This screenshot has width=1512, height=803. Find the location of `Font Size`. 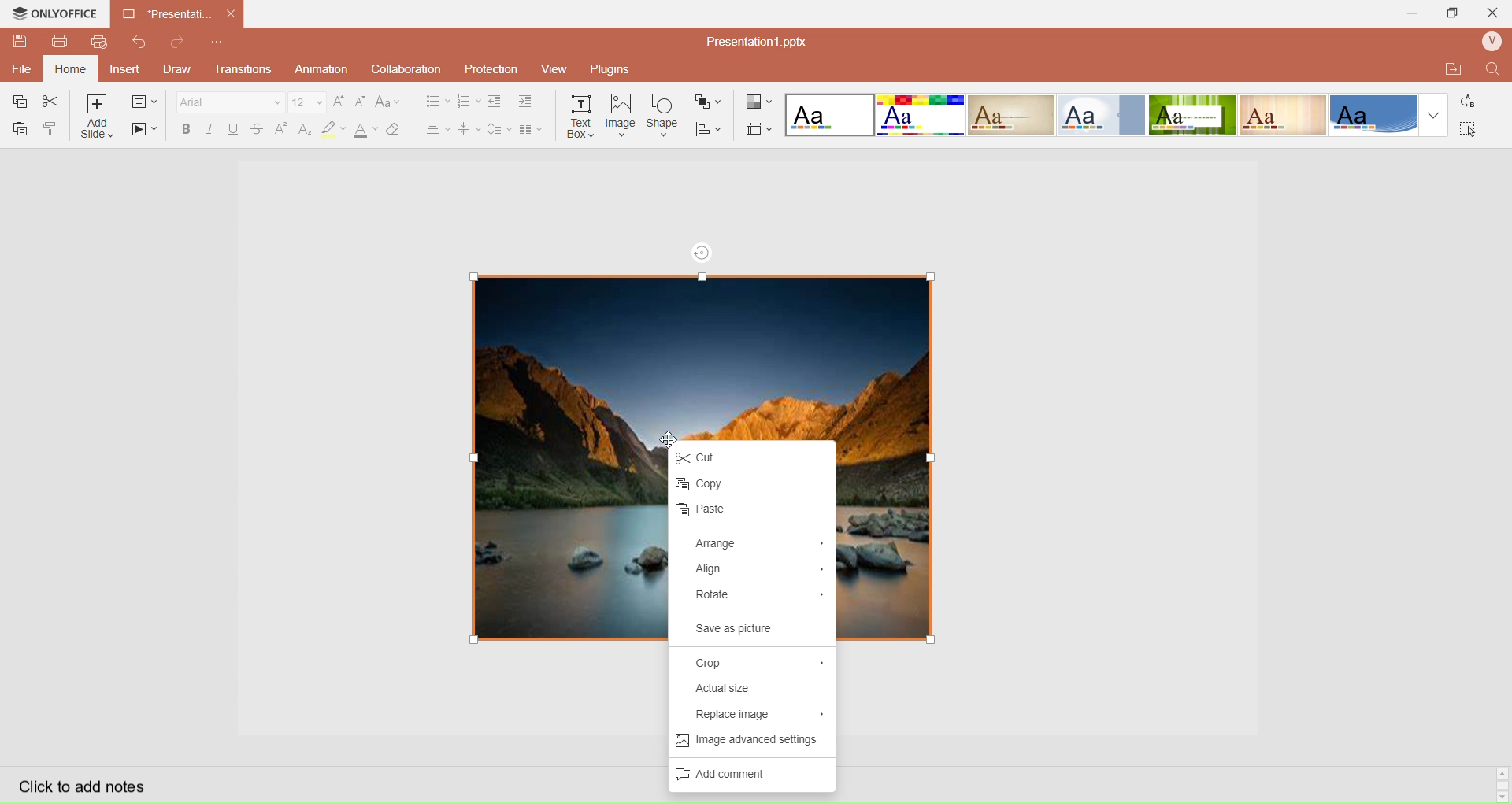

Font Size is located at coordinates (307, 103).